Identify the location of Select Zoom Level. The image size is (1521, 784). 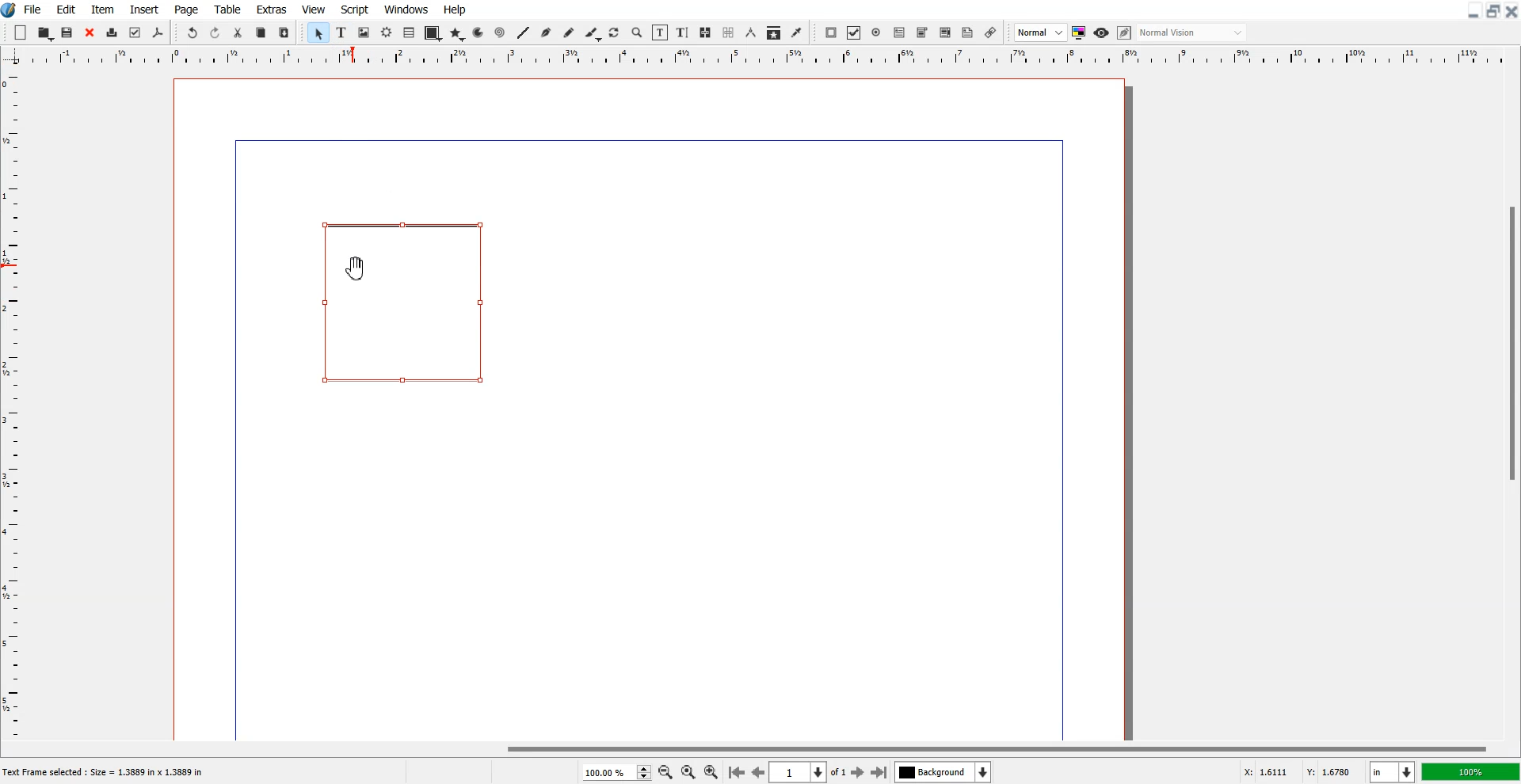
(618, 772).